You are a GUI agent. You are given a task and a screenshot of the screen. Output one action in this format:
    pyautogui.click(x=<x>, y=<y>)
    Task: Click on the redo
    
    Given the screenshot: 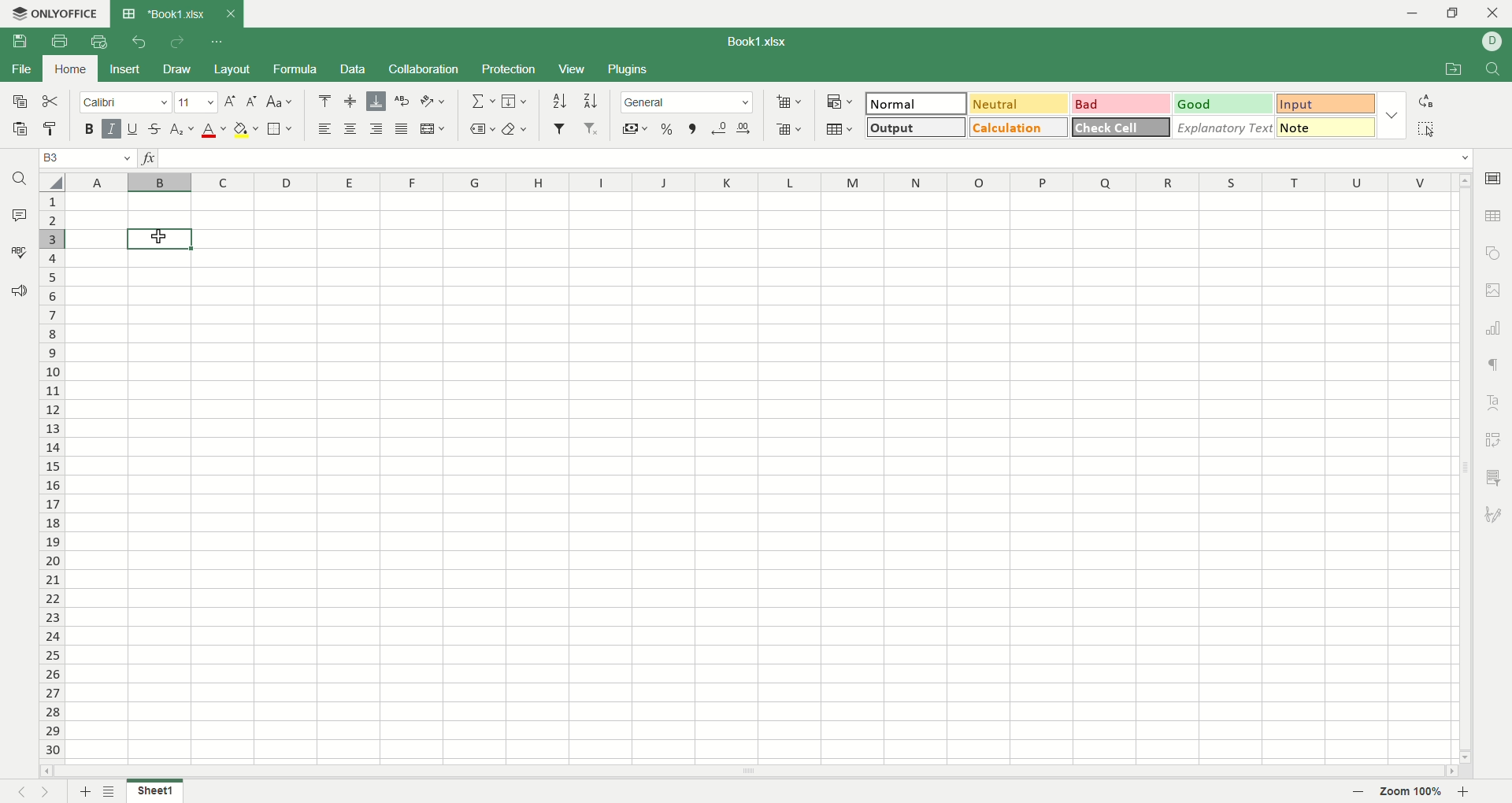 What is the action you would take?
    pyautogui.click(x=178, y=41)
    